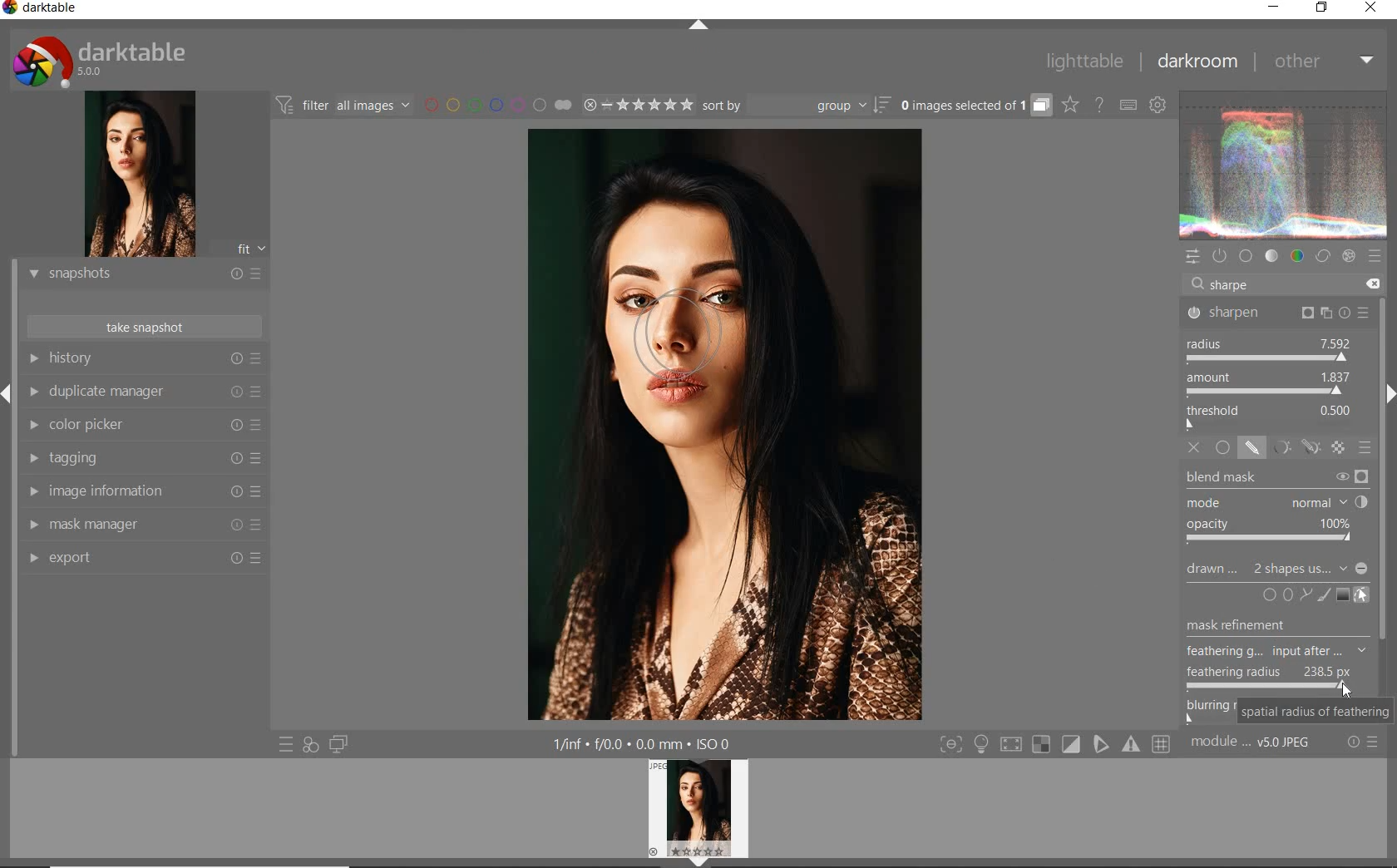  Describe the element at coordinates (1316, 711) in the screenshot. I see `SPATIAL RADIUS OF FEATHERING` at that location.